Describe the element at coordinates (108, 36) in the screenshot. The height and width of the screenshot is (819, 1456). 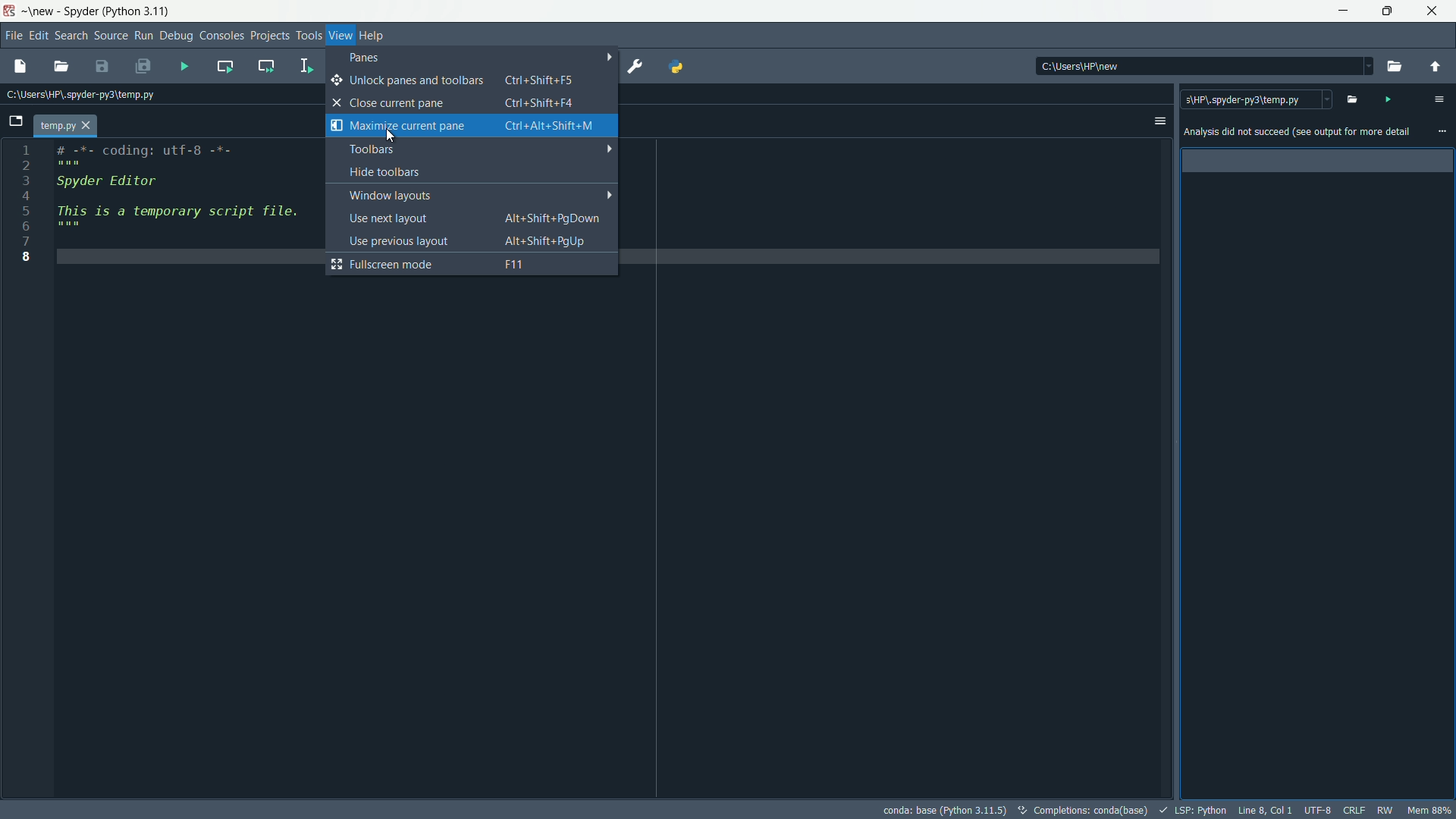
I see `source menu` at that location.